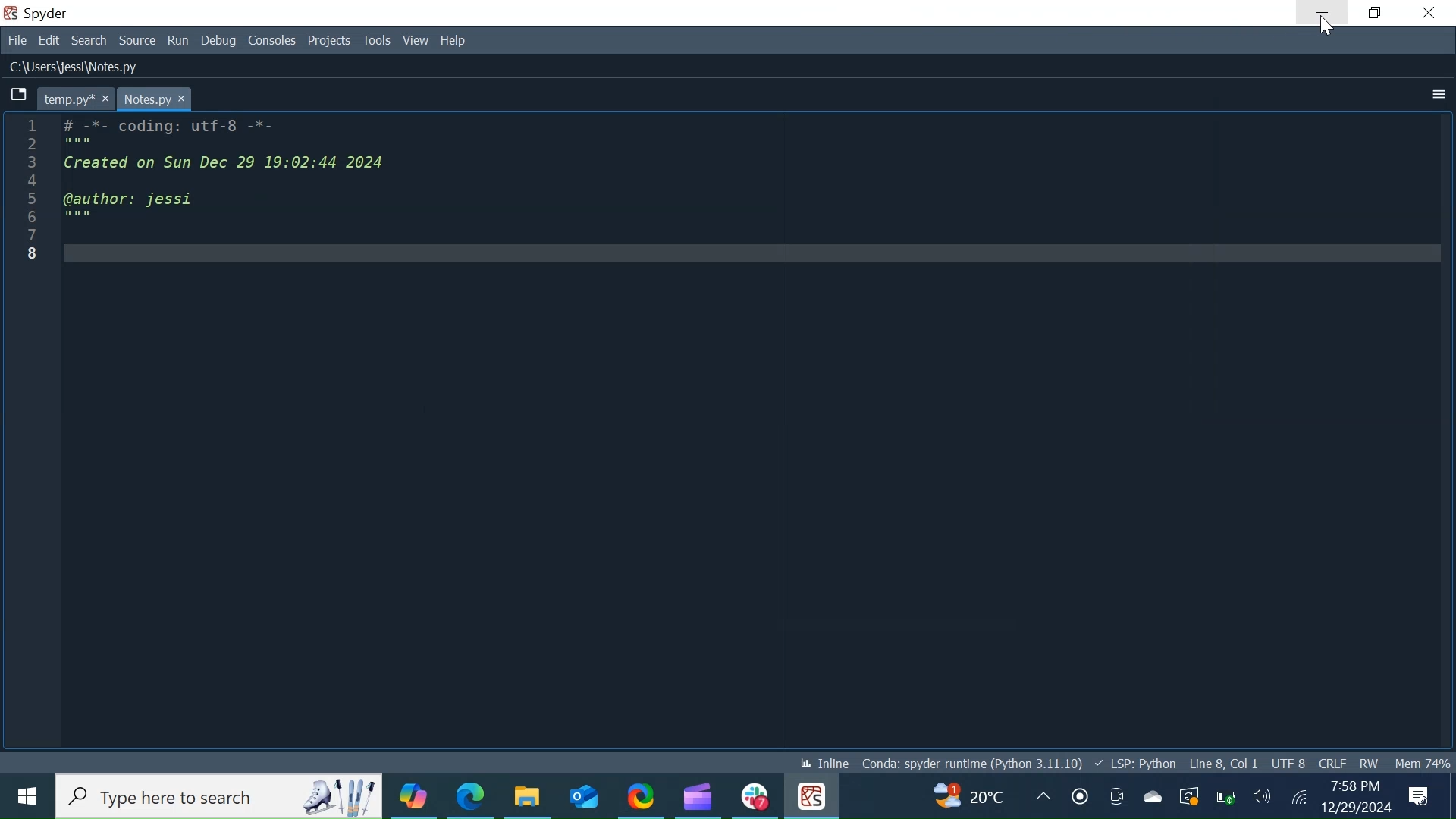 The height and width of the screenshot is (819, 1456). Describe the element at coordinates (1372, 12) in the screenshot. I see `Restore` at that location.